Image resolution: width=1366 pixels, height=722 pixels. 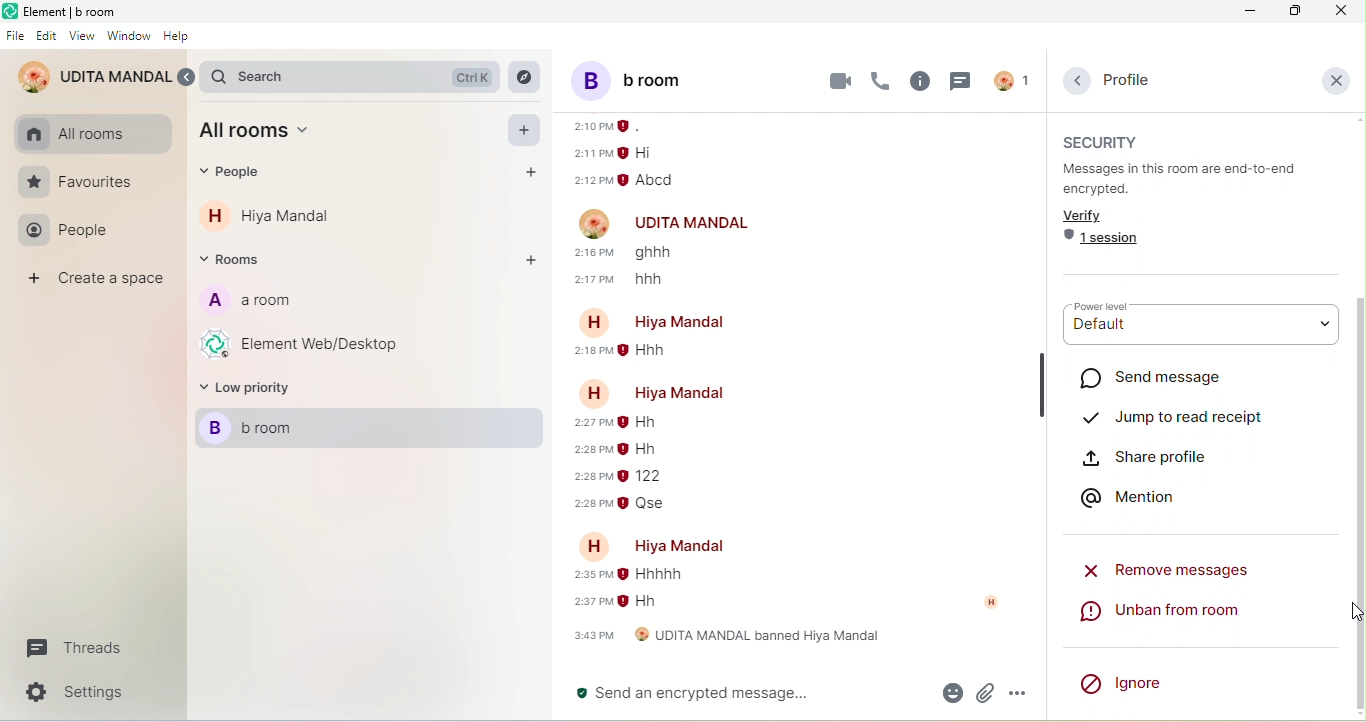 What do you see at coordinates (76, 11) in the screenshot?
I see `element b room` at bounding box center [76, 11].